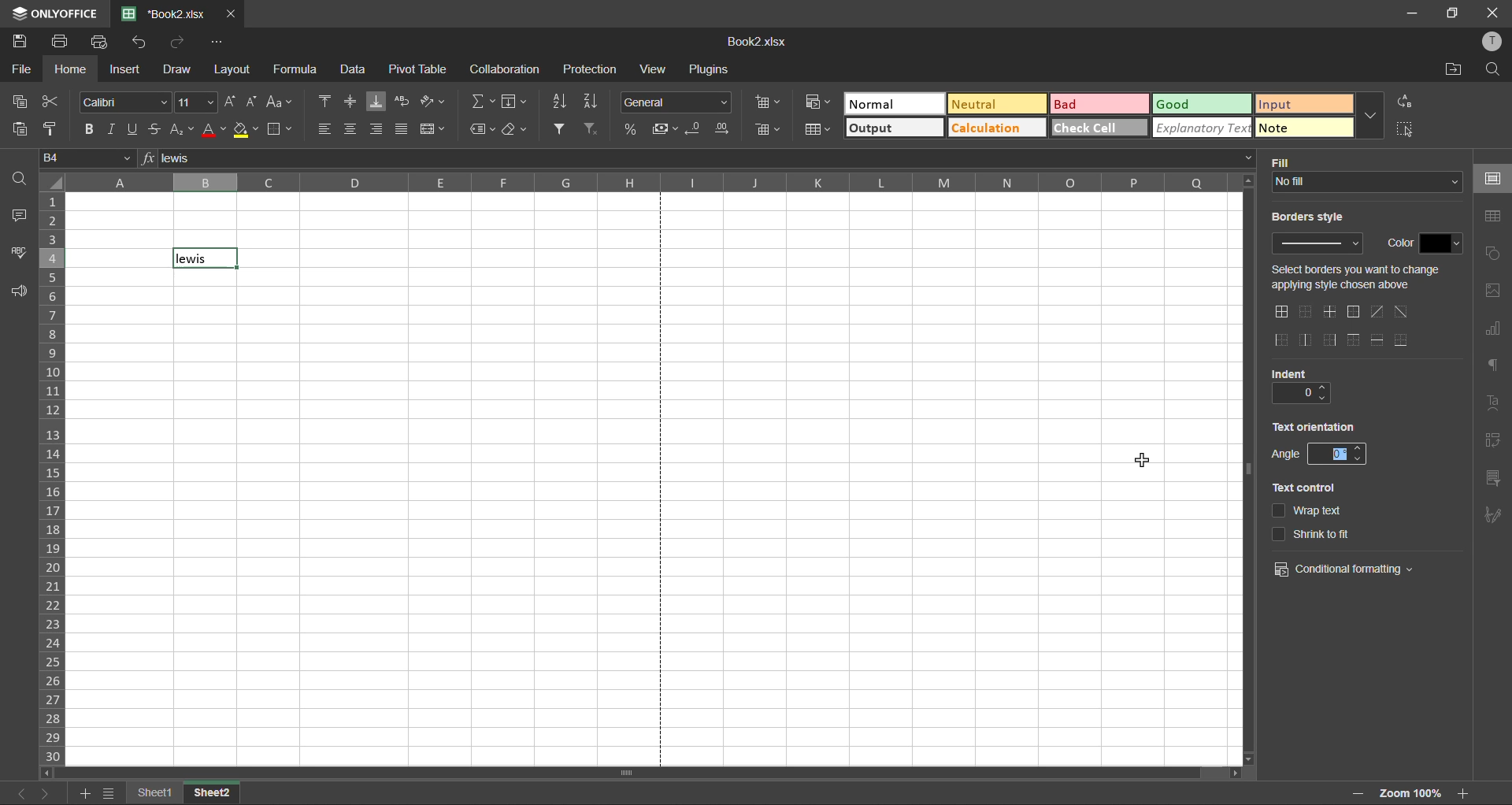  What do you see at coordinates (694, 129) in the screenshot?
I see `decrease decimal` at bounding box center [694, 129].